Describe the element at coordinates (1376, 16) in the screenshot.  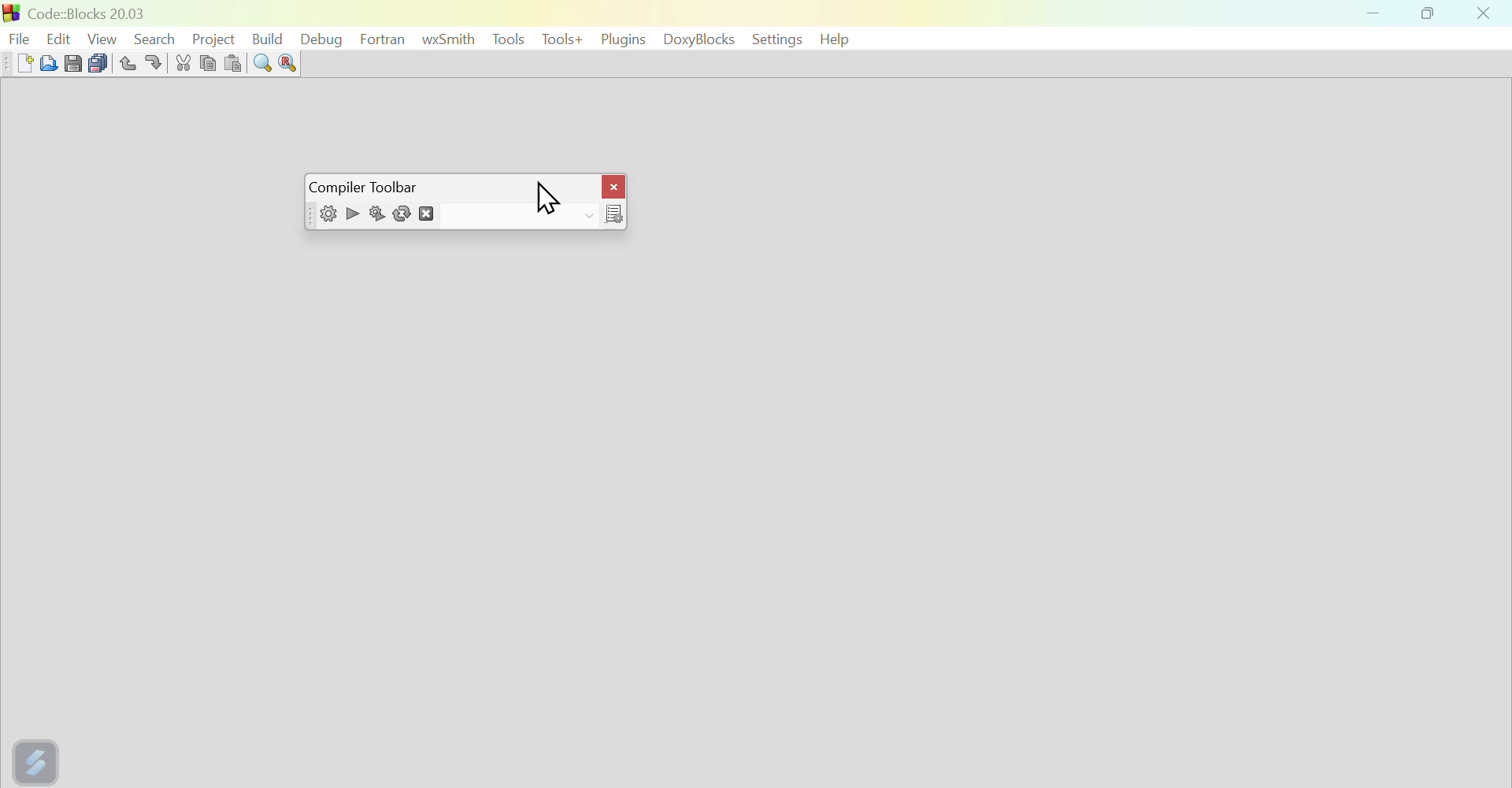
I see `minimise` at that location.